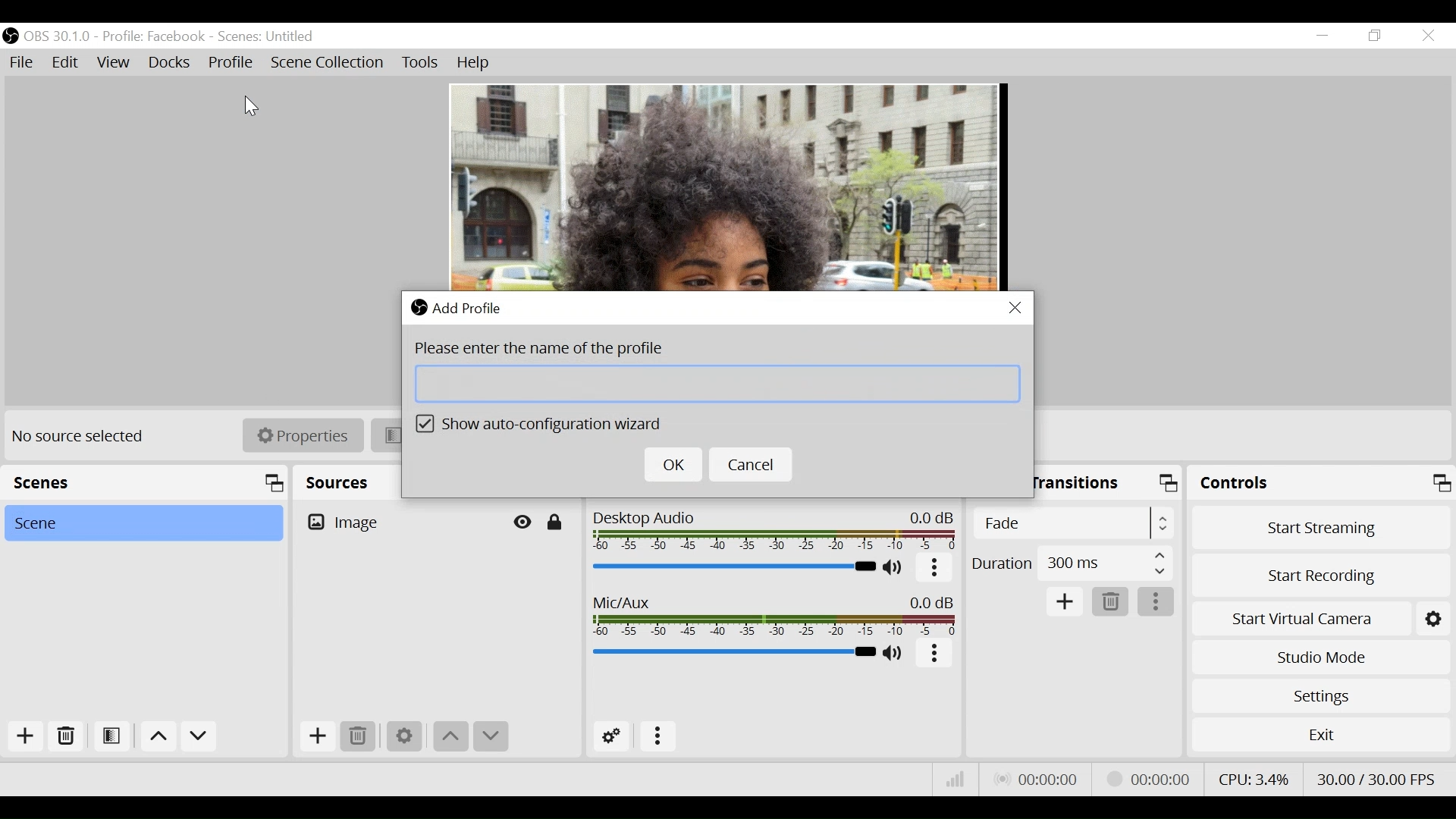 This screenshot has width=1456, height=819. What do you see at coordinates (21, 738) in the screenshot?
I see `Add` at bounding box center [21, 738].